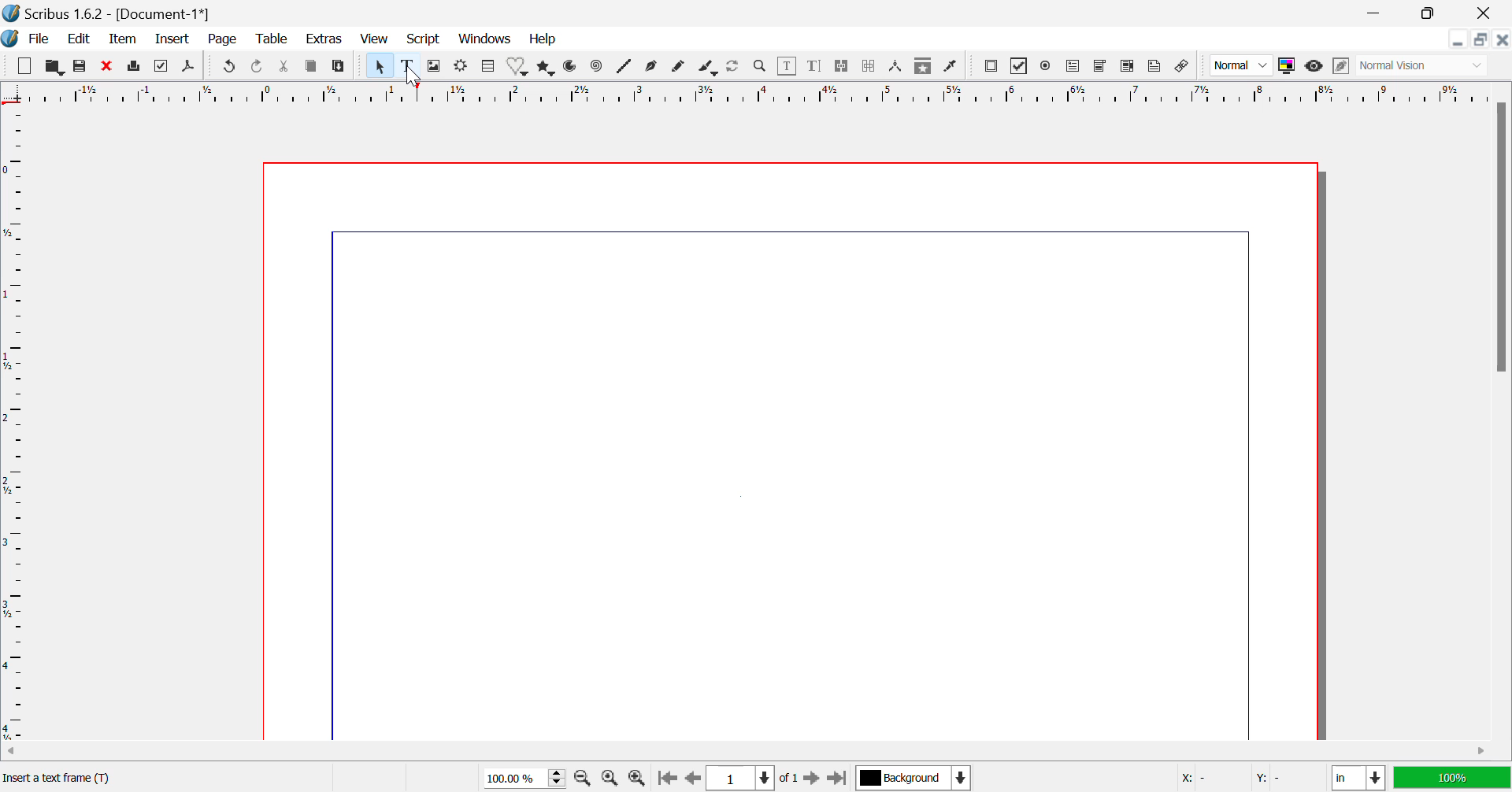  Describe the element at coordinates (192, 67) in the screenshot. I see `Save as Pdf` at that location.